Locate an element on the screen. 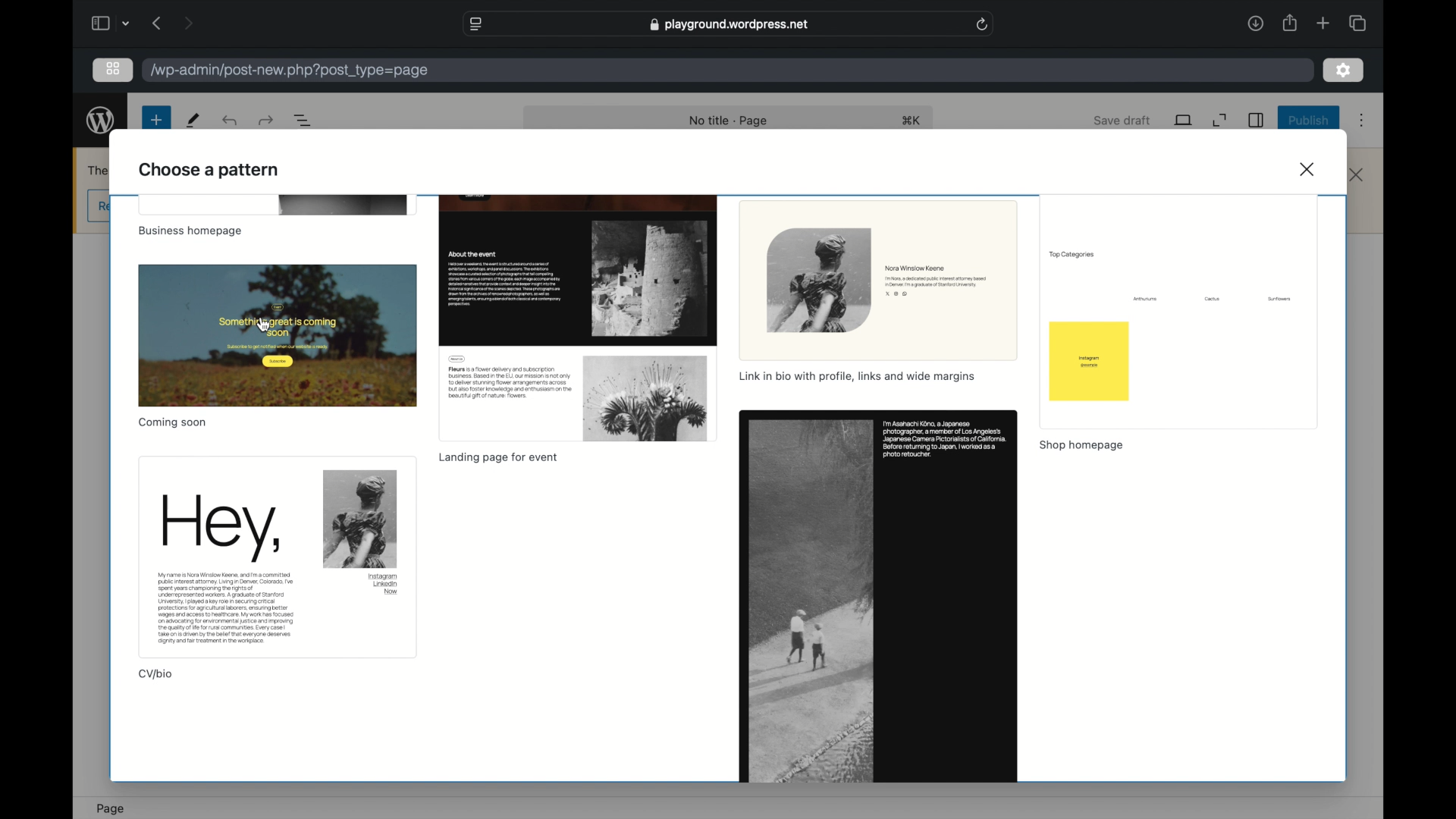 The width and height of the screenshot is (1456, 819). link in bio with profile, links and wide margins is located at coordinates (860, 376).